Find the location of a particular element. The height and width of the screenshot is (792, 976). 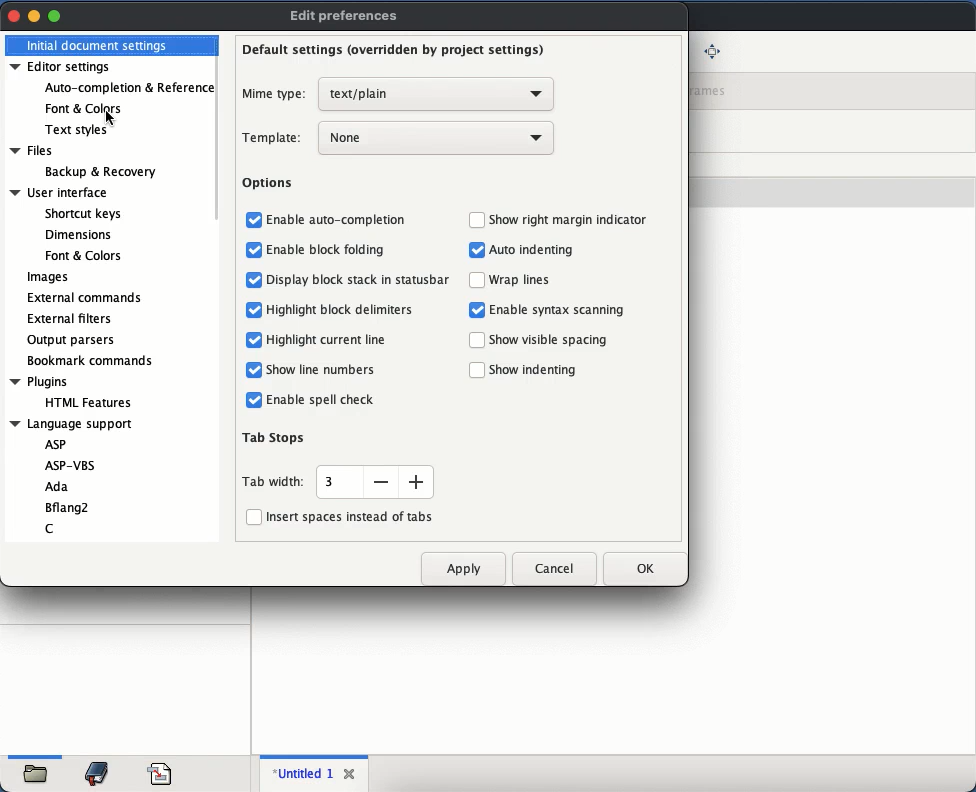

close is located at coordinates (15, 17).